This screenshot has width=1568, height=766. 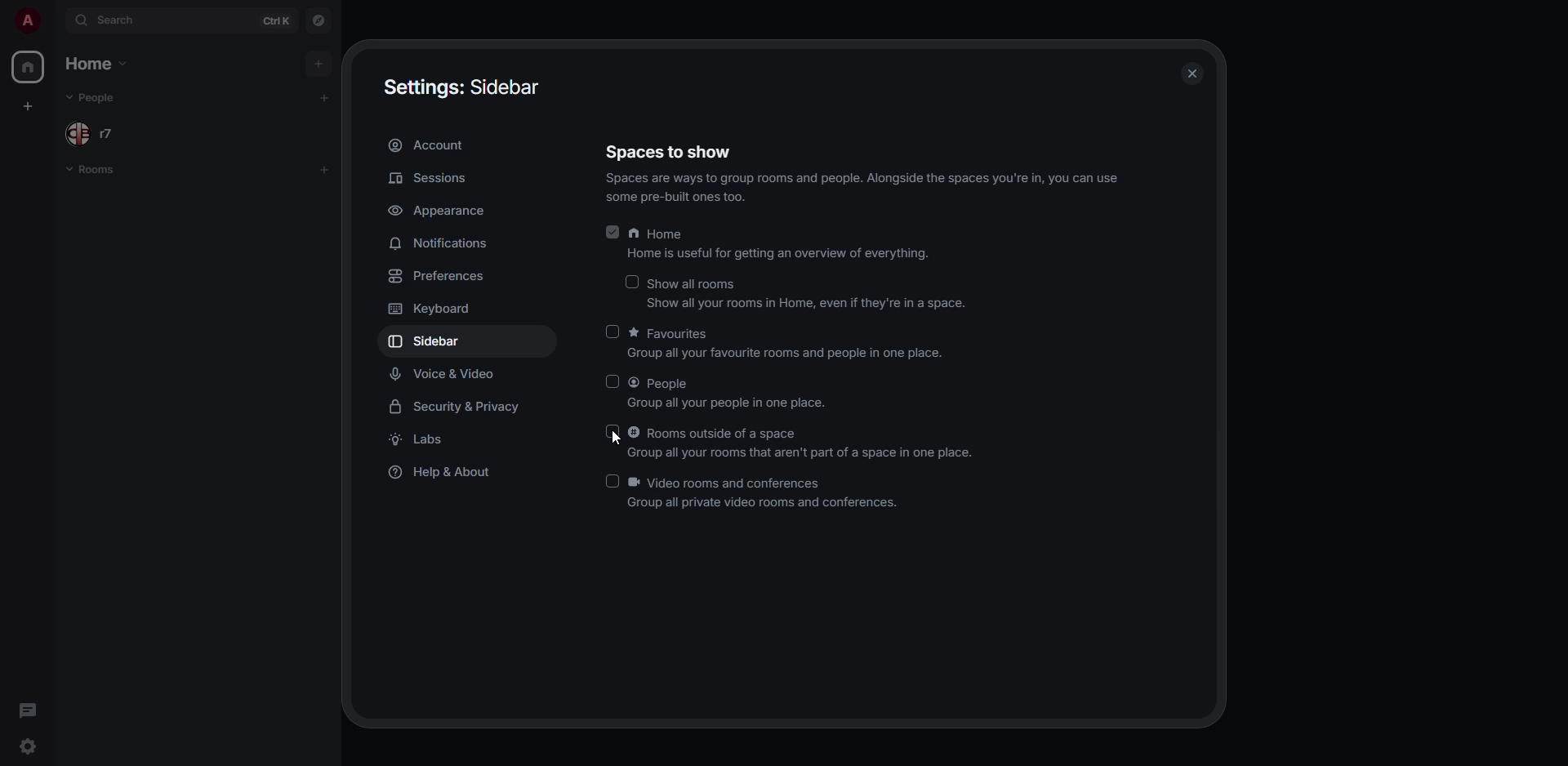 What do you see at coordinates (318, 62) in the screenshot?
I see `add` at bounding box center [318, 62].